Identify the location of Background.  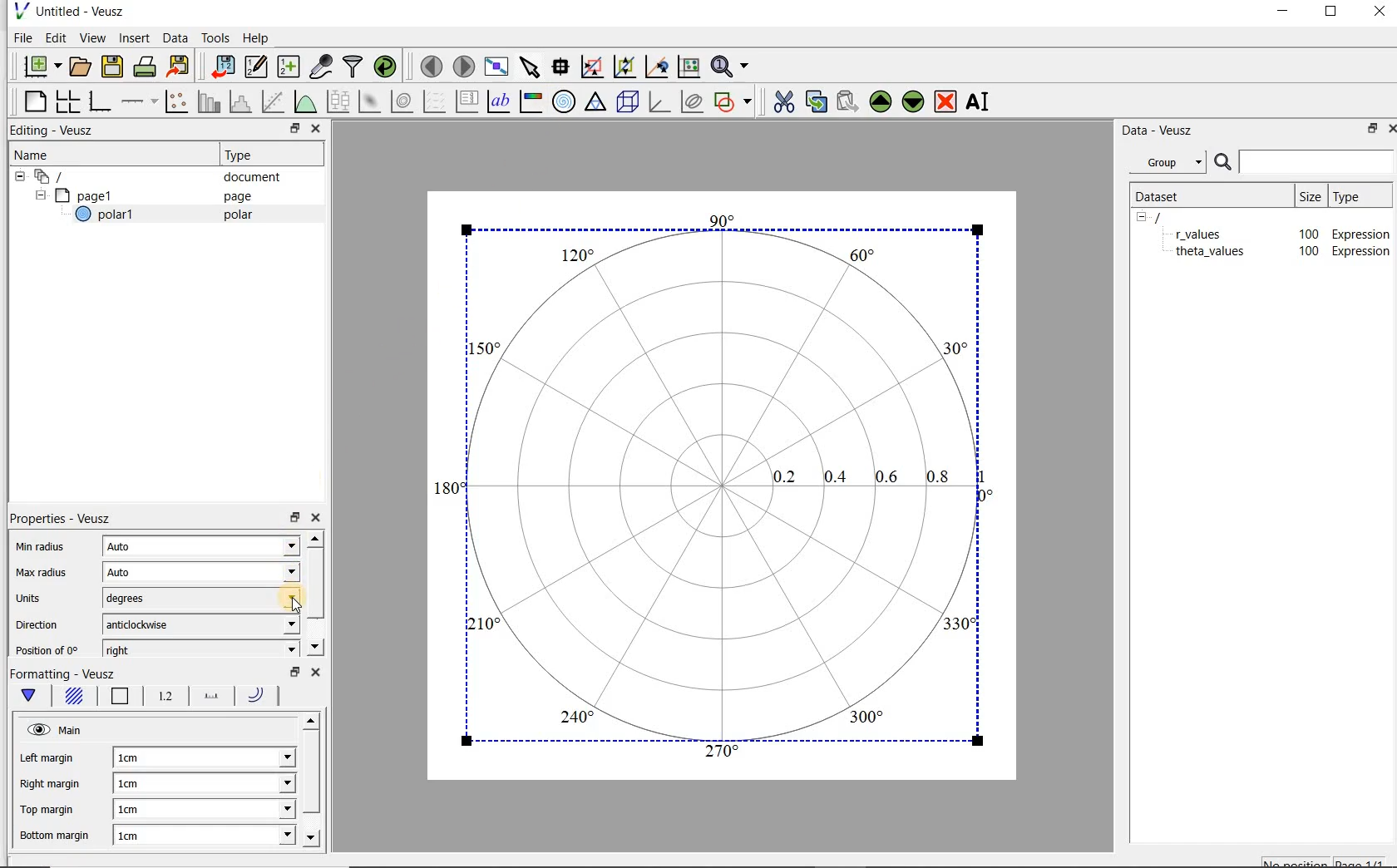
(75, 696).